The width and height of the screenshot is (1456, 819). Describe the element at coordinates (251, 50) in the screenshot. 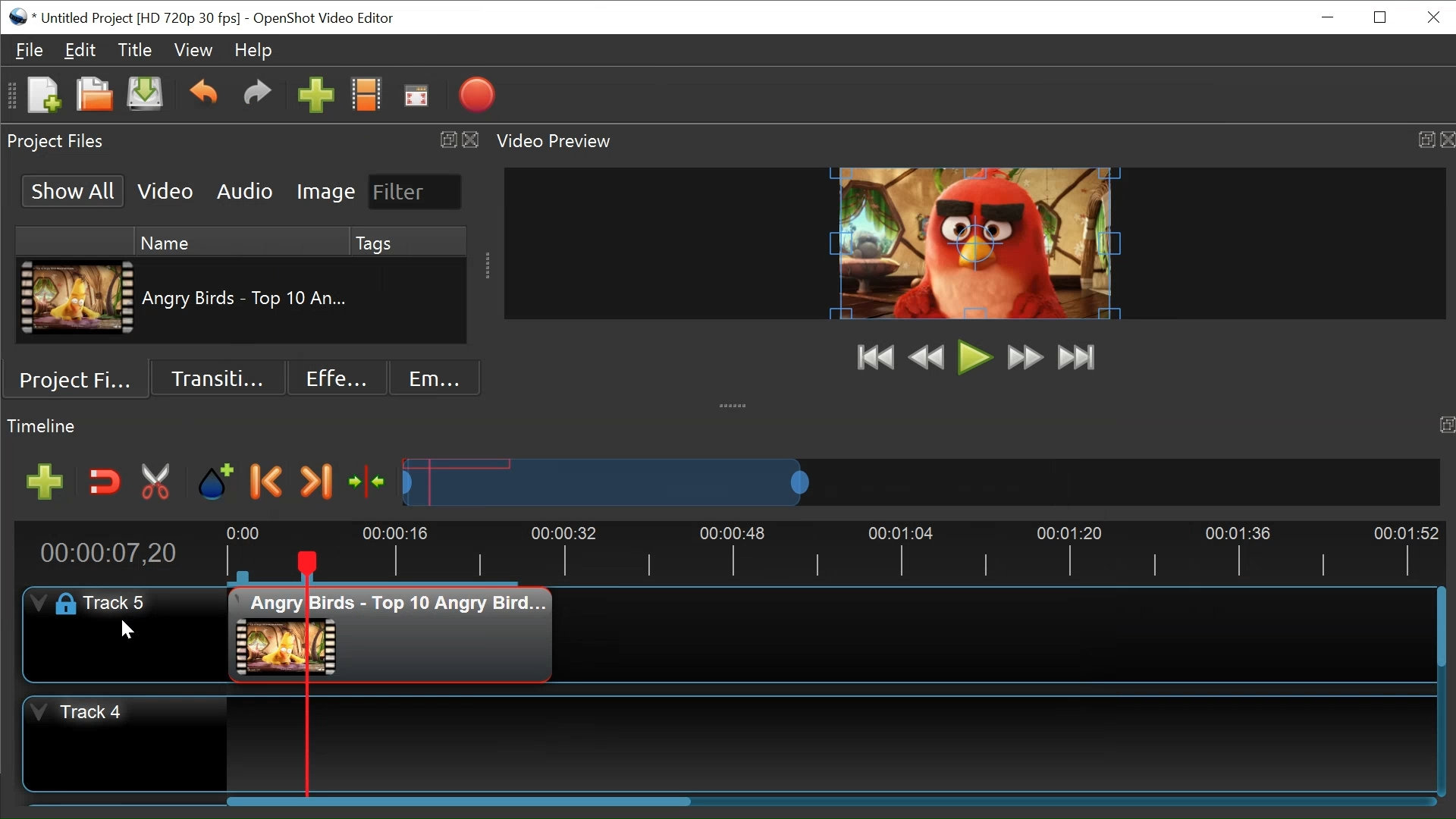

I see `Help` at that location.